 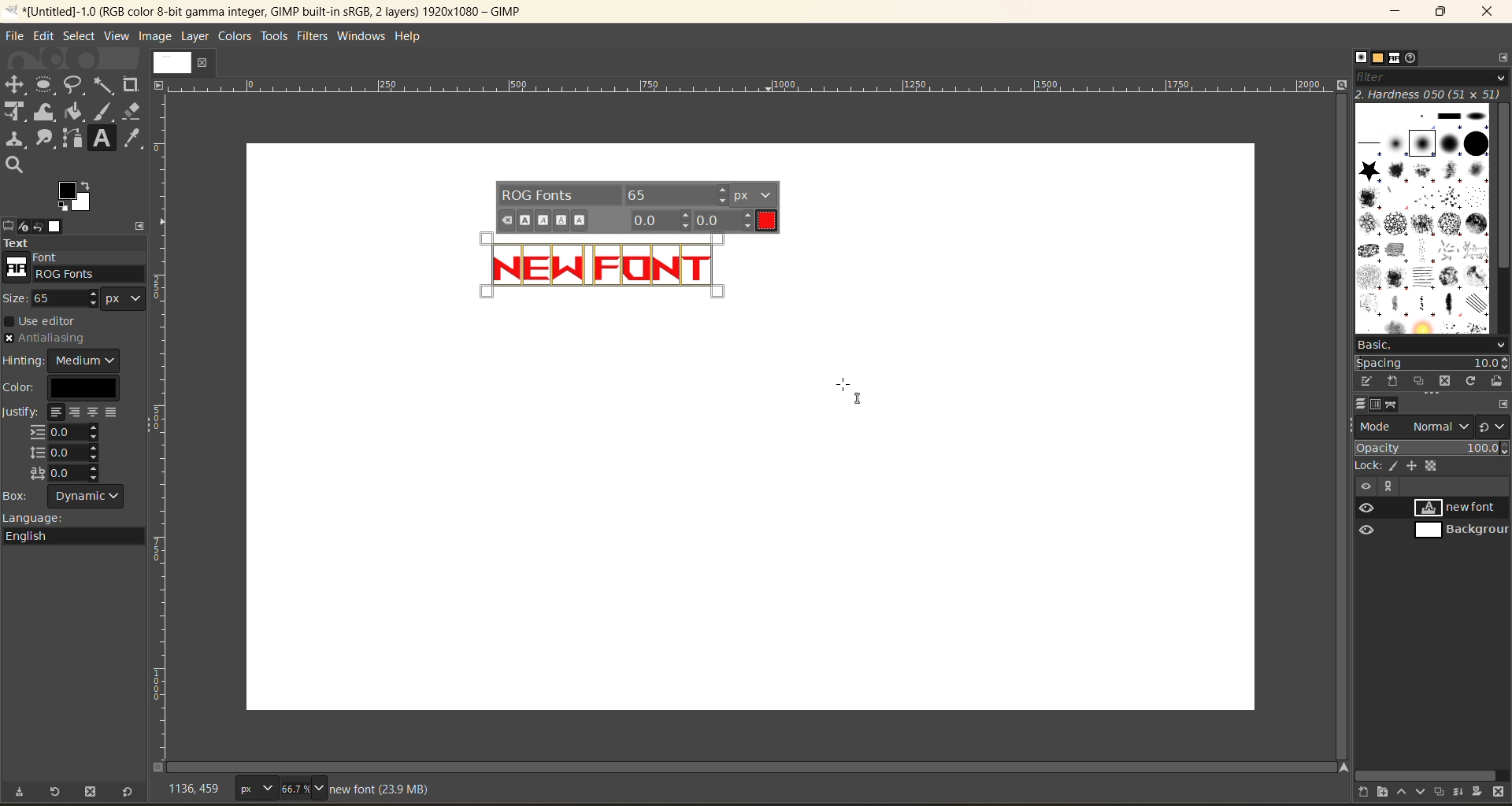 What do you see at coordinates (1388, 486) in the screenshot?
I see `view paths` at bounding box center [1388, 486].